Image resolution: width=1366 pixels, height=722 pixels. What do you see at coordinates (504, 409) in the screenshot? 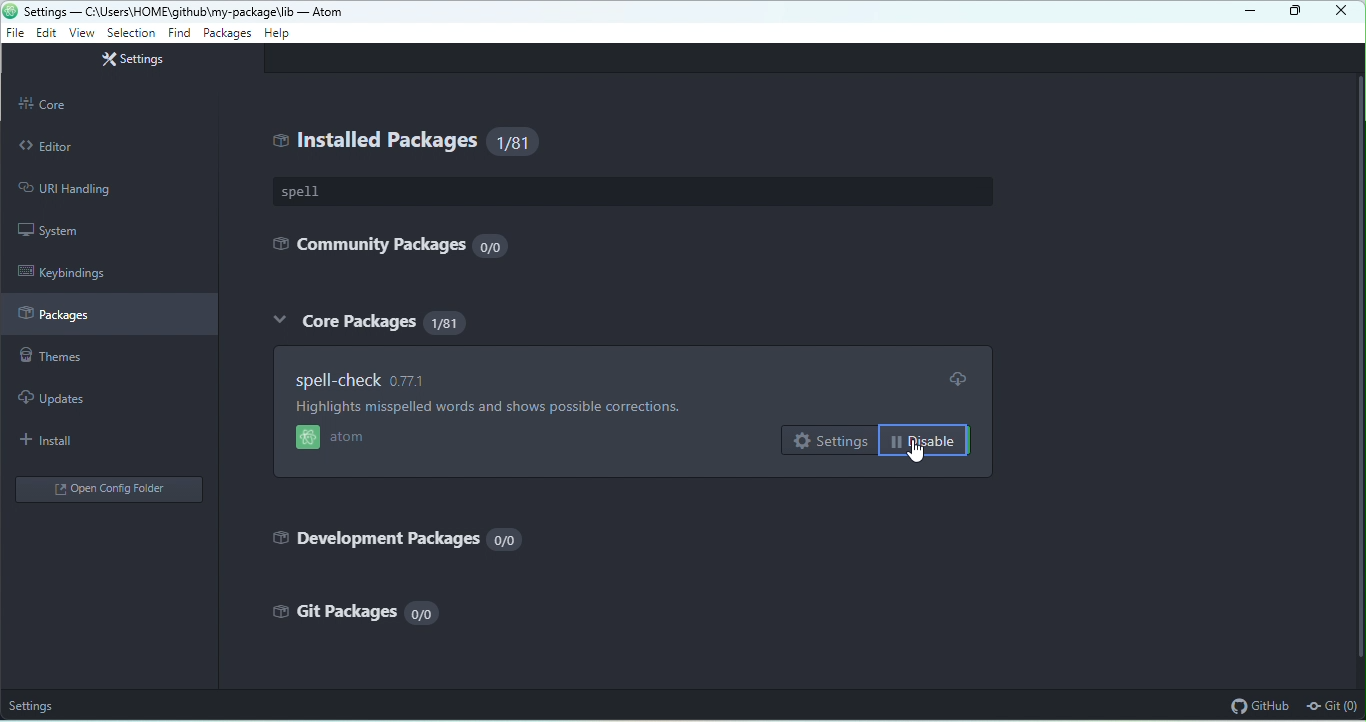
I see `Highlights misspelled words and shows possible corrections.` at bounding box center [504, 409].